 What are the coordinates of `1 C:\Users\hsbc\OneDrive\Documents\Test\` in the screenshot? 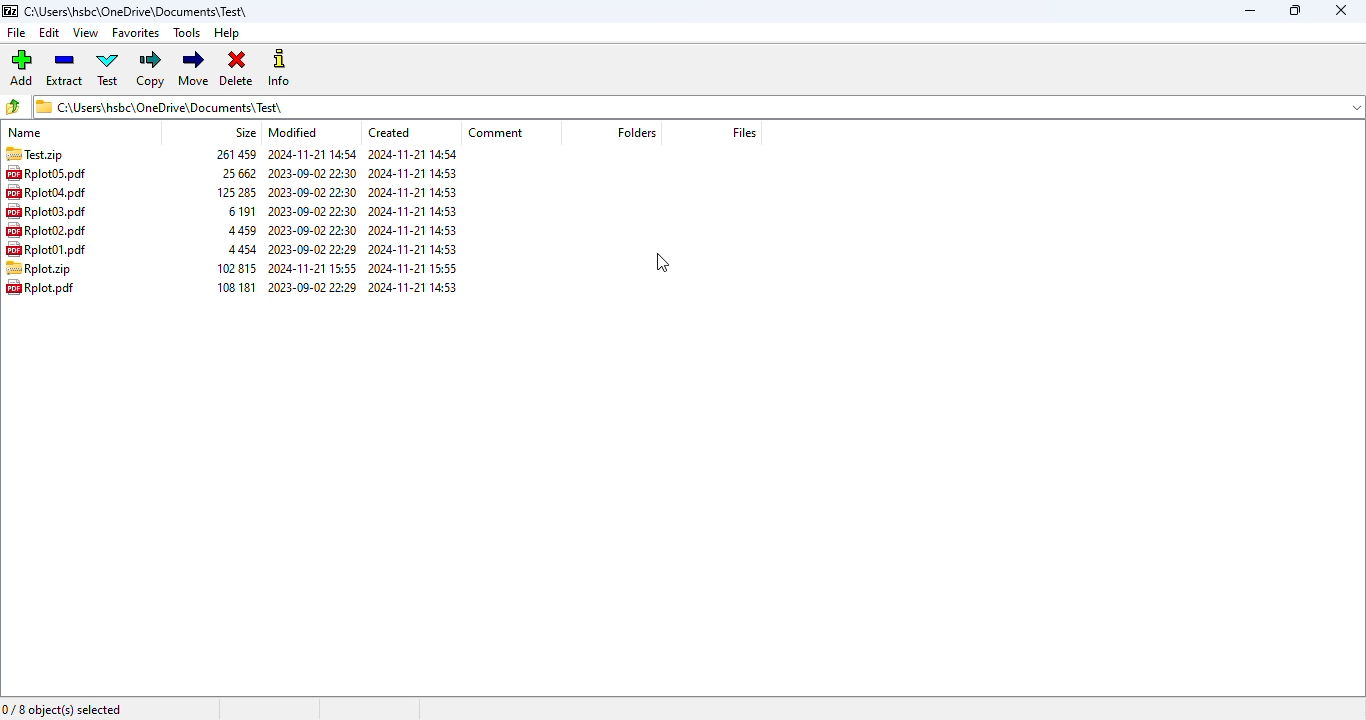 It's located at (700, 107).